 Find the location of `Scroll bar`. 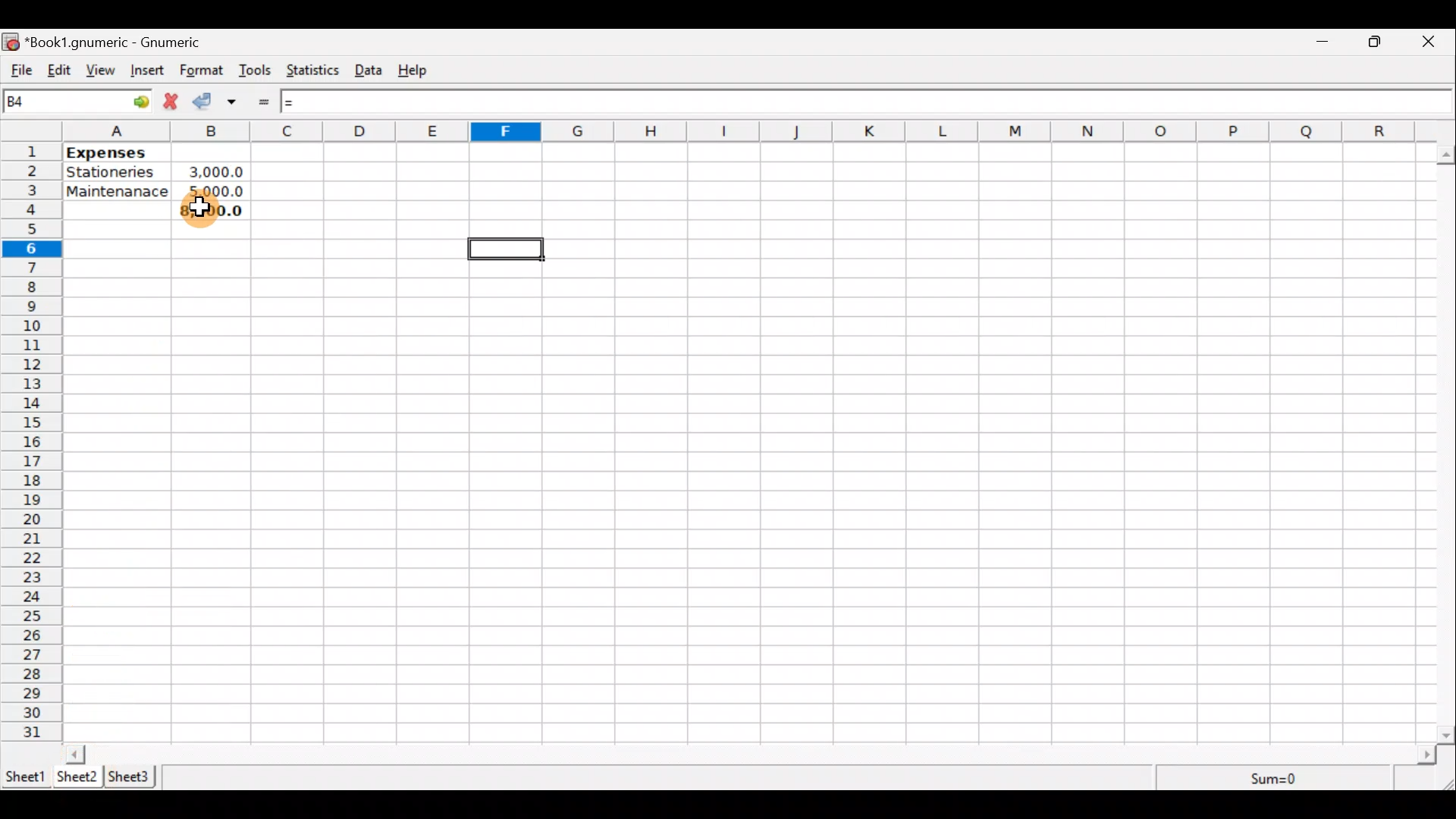

Scroll bar is located at coordinates (752, 754).